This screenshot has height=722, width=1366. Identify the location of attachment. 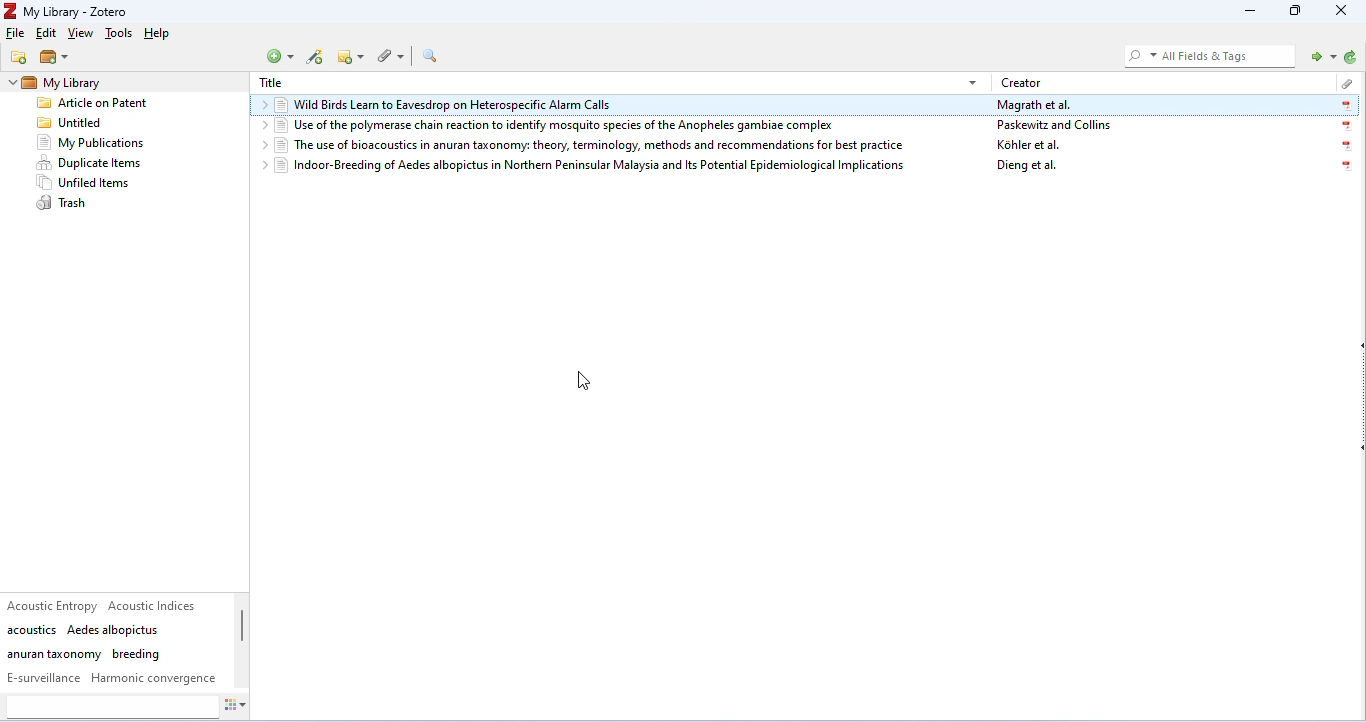
(389, 56).